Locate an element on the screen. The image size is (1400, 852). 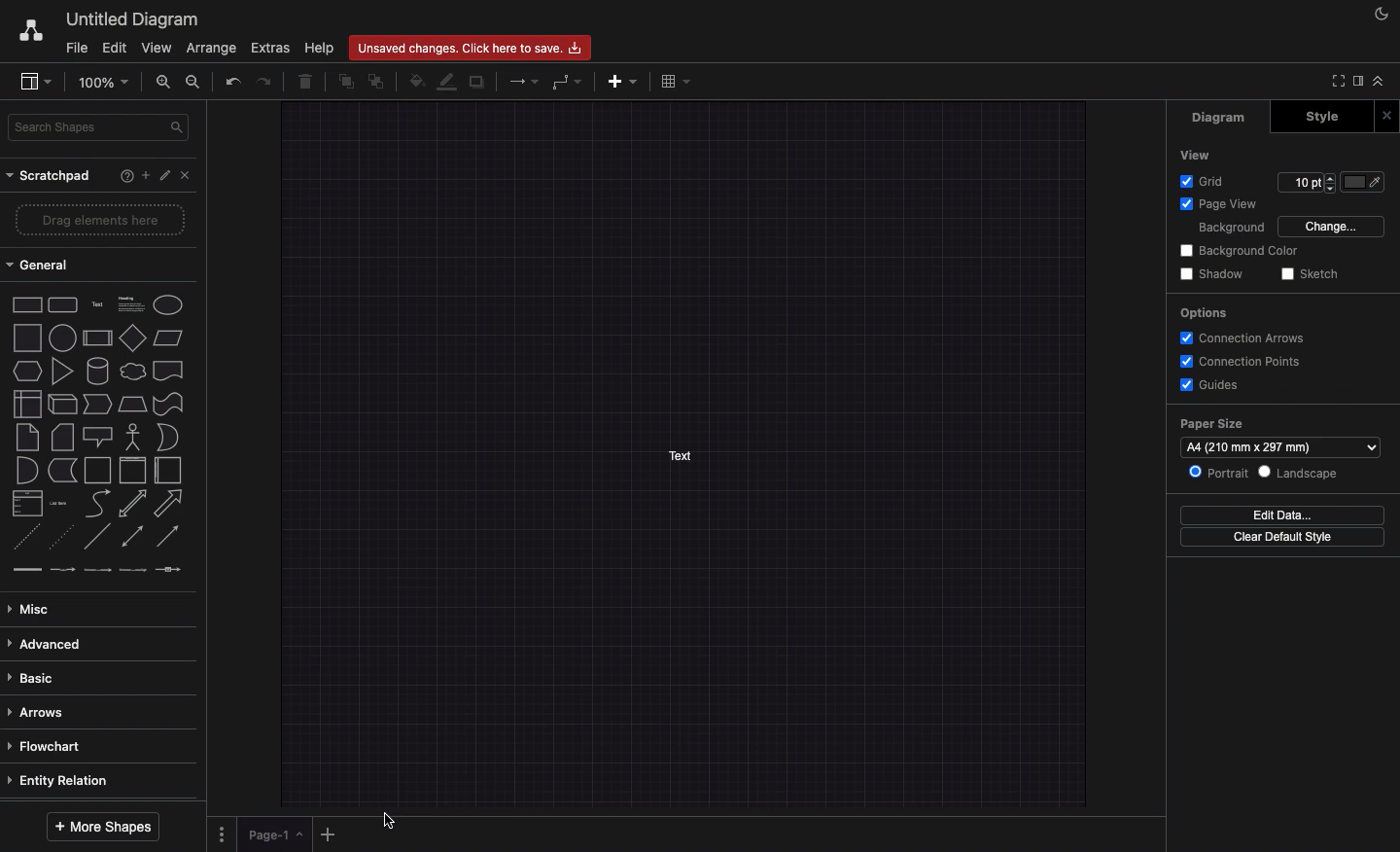
Portrait  is located at coordinates (1222, 473).